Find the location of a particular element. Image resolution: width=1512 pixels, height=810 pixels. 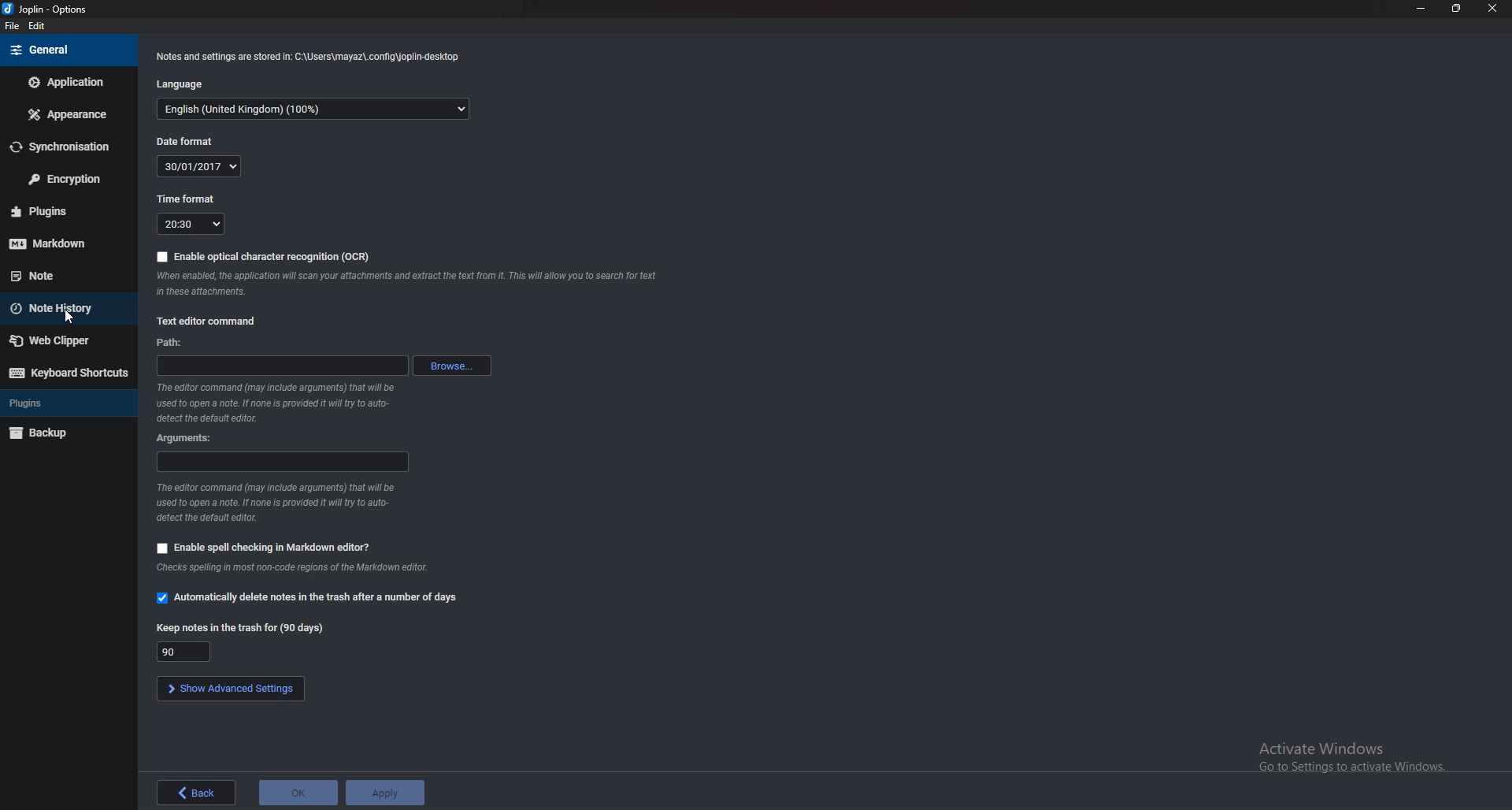

Language is located at coordinates (191, 84).